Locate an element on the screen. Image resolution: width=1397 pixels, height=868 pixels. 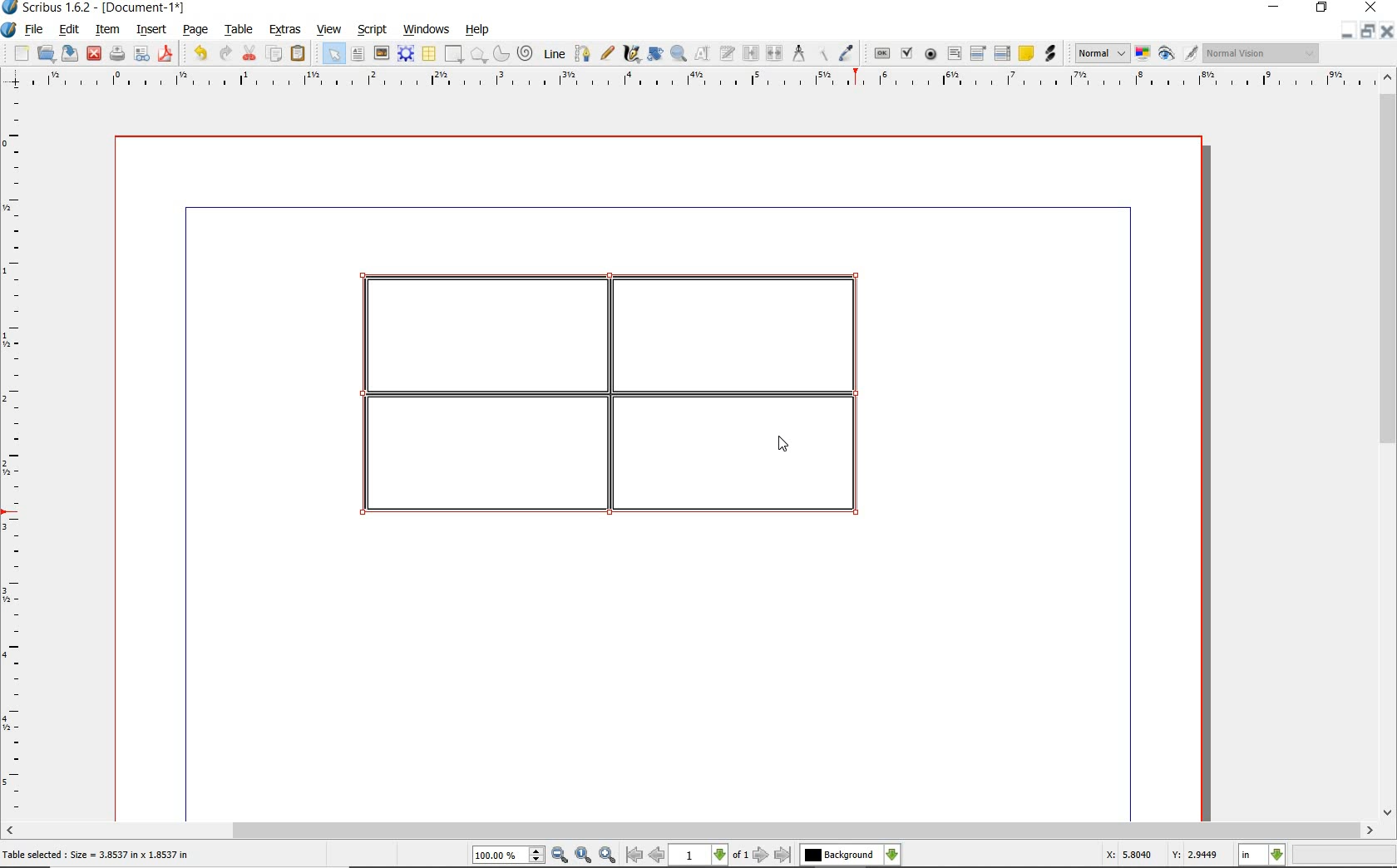
file is located at coordinates (35, 31).